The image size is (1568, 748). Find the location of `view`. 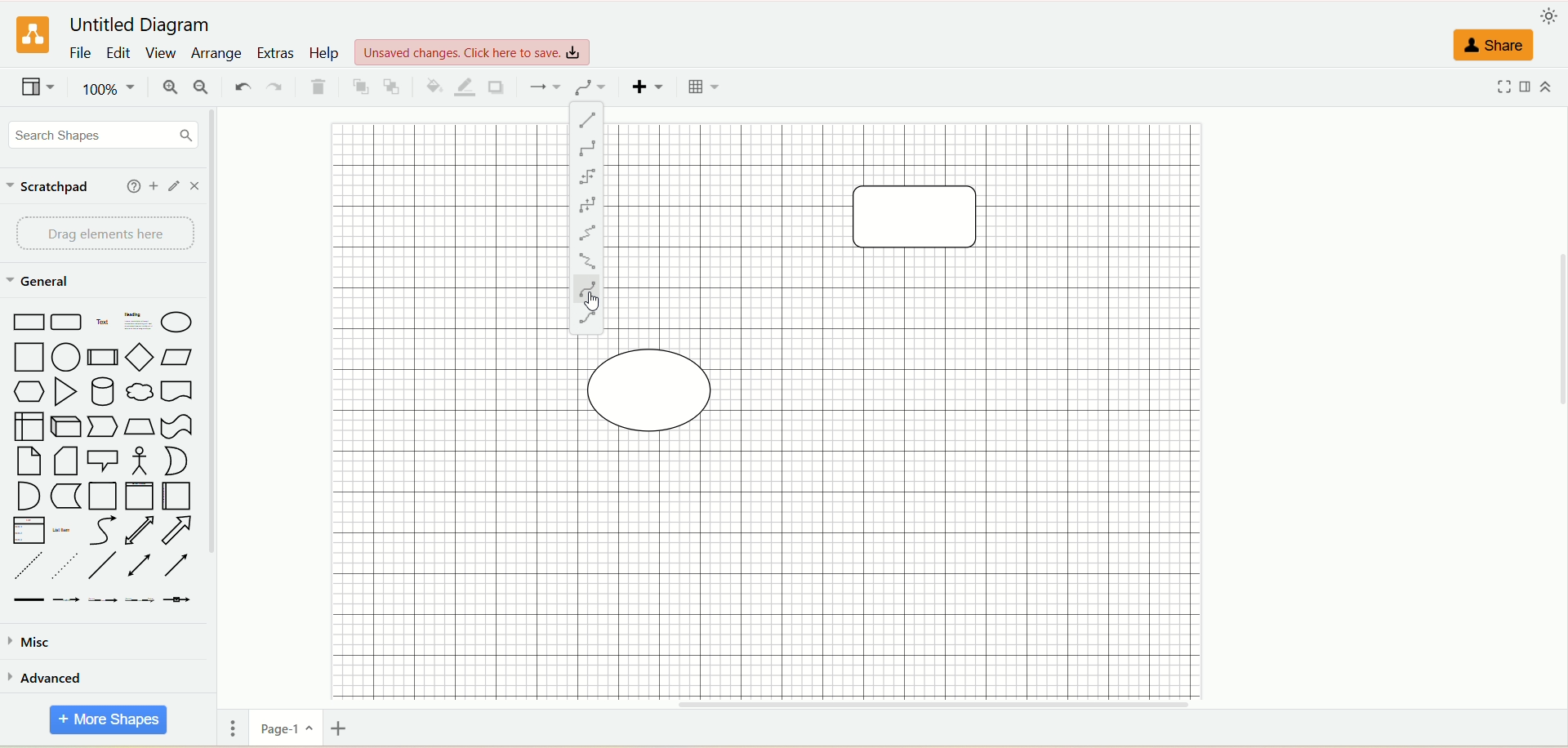

view is located at coordinates (474, 51).